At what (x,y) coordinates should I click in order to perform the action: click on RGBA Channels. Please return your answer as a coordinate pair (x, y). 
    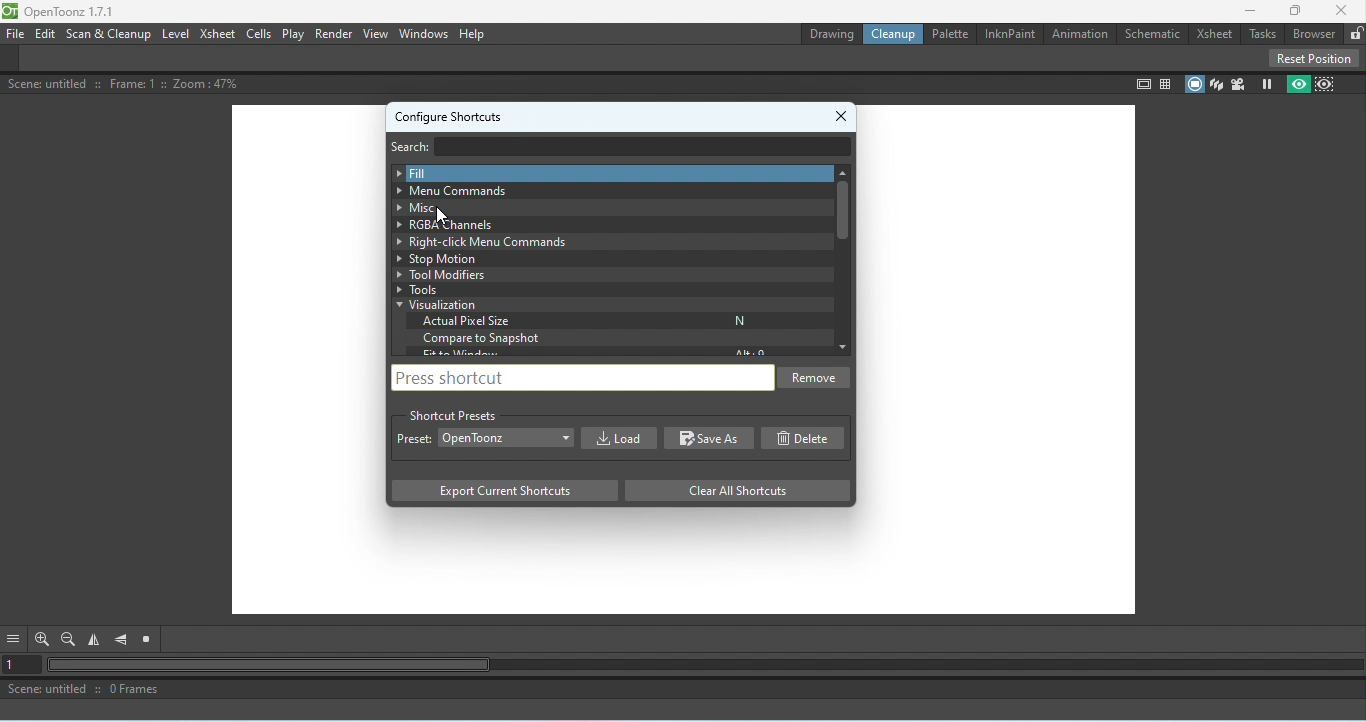
    Looking at the image, I should click on (597, 225).